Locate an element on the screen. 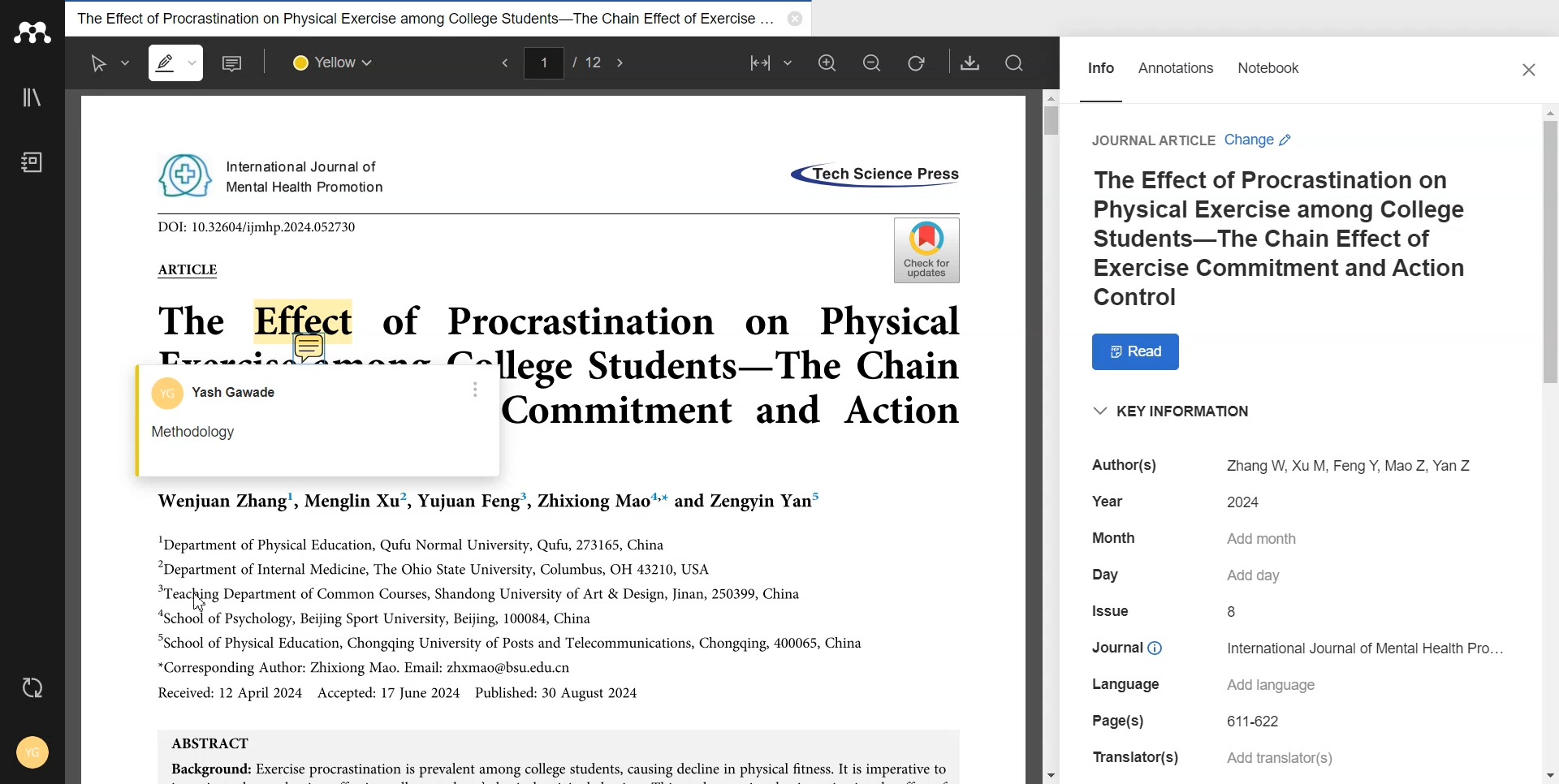  «Tech Science Press is located at coordinates (873, 176).